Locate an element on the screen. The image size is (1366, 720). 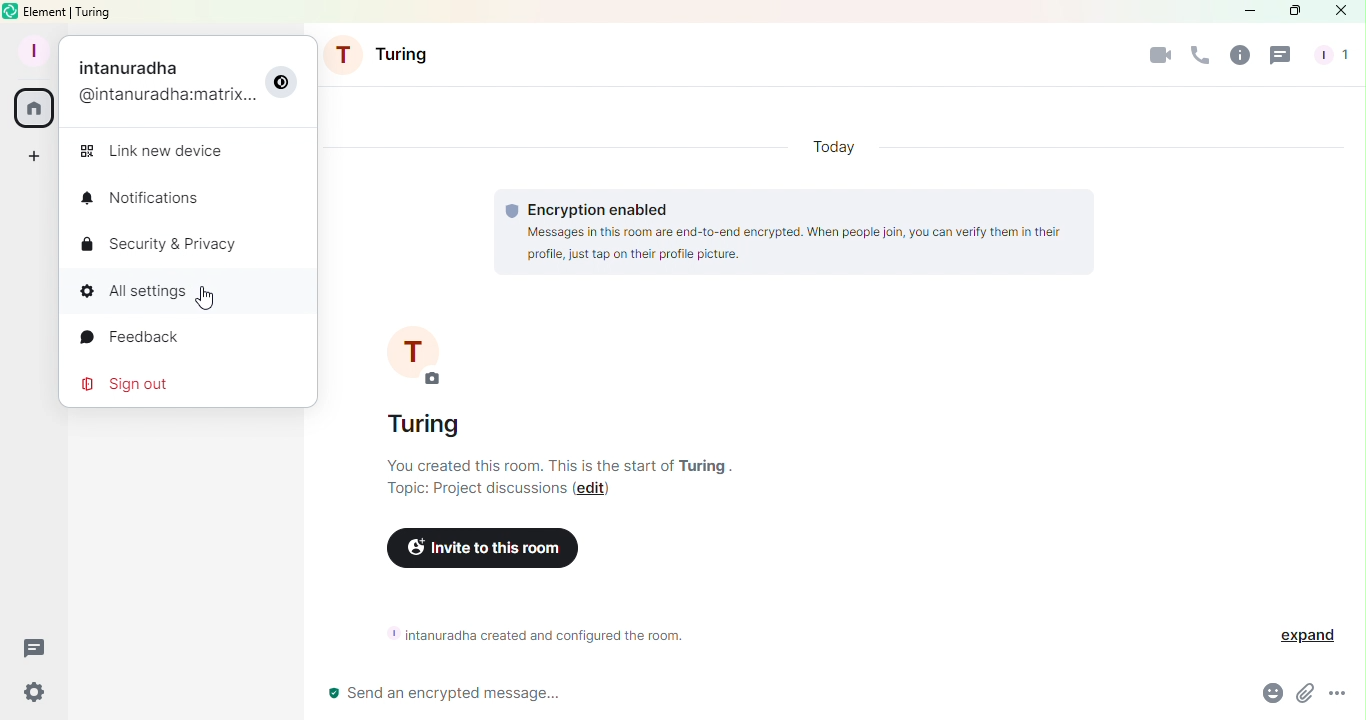
Create a space is located at coordinates (33, 154).